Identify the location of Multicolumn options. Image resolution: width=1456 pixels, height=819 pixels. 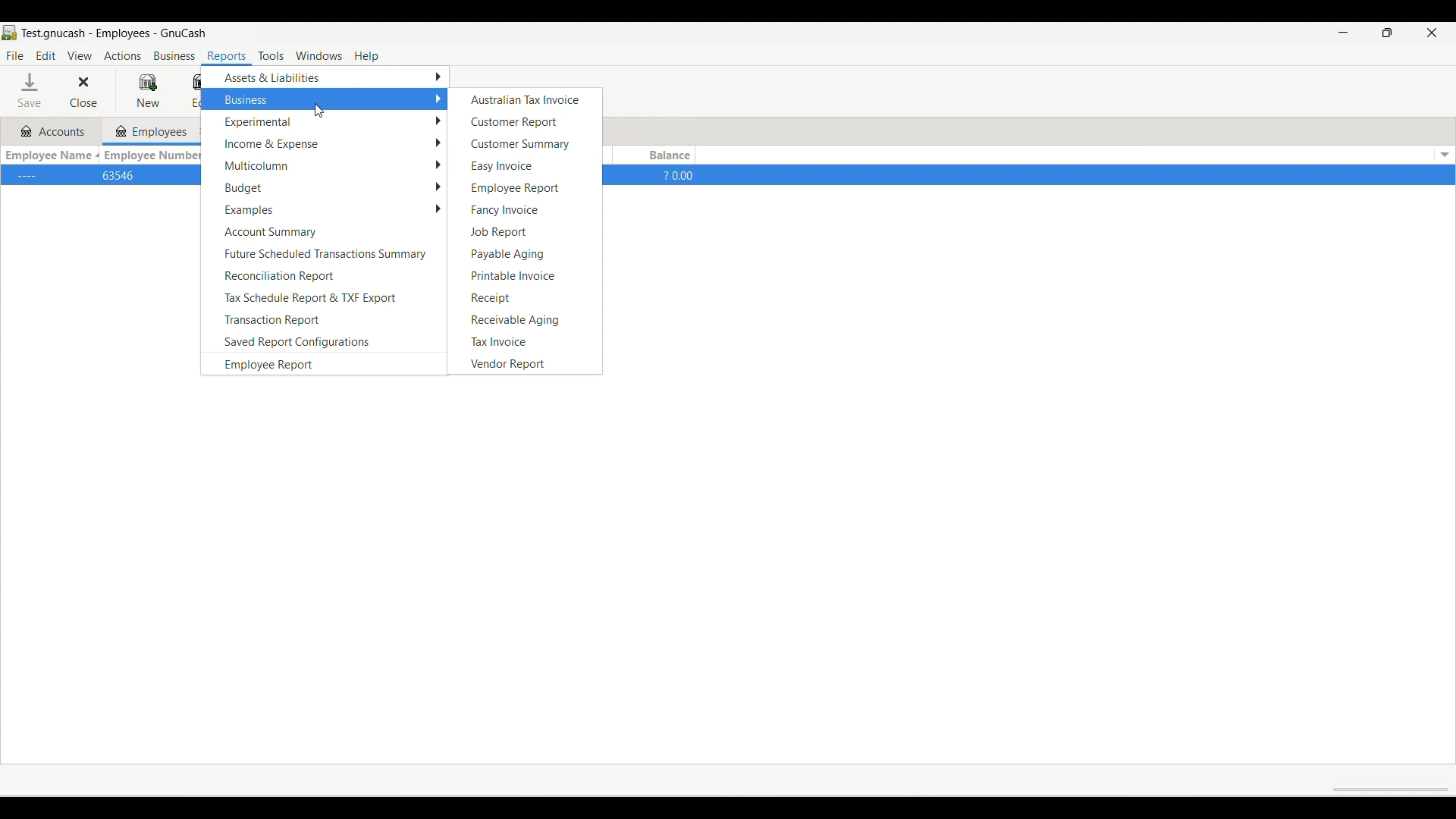
(325, 164).